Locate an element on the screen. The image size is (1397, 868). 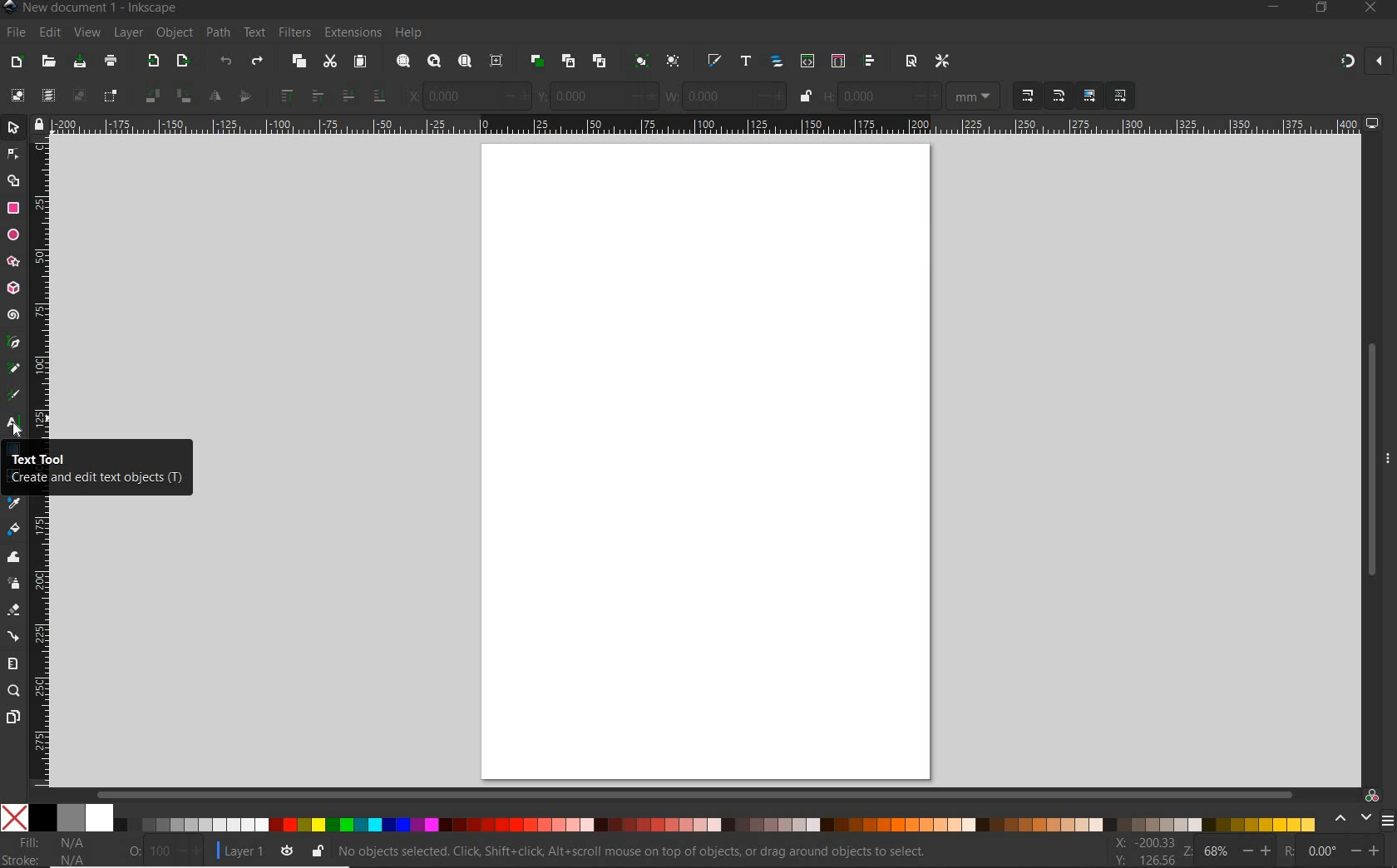
scaling objects is located at coordinates (1024, 96).